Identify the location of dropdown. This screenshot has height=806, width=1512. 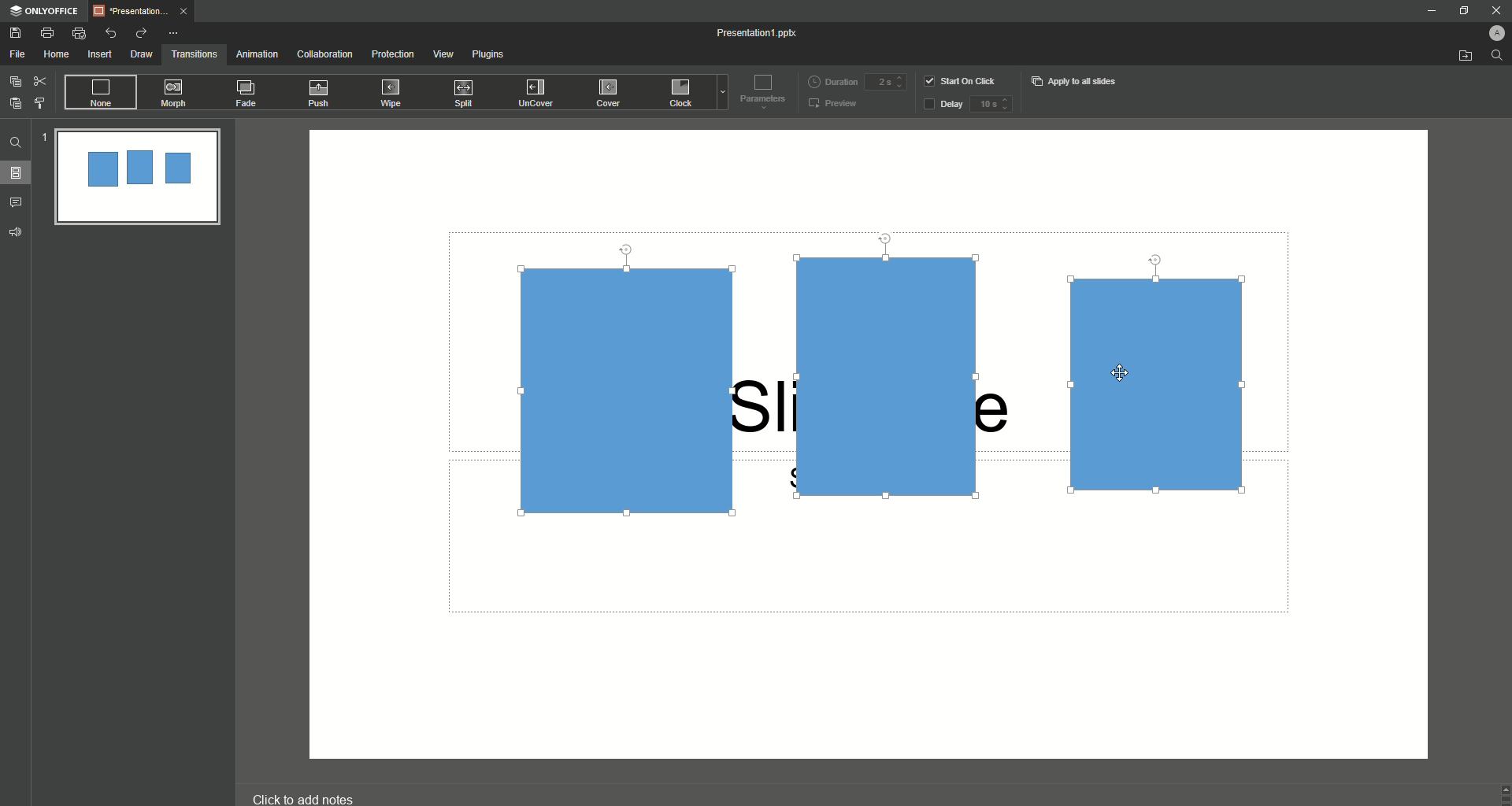
(720, 94).